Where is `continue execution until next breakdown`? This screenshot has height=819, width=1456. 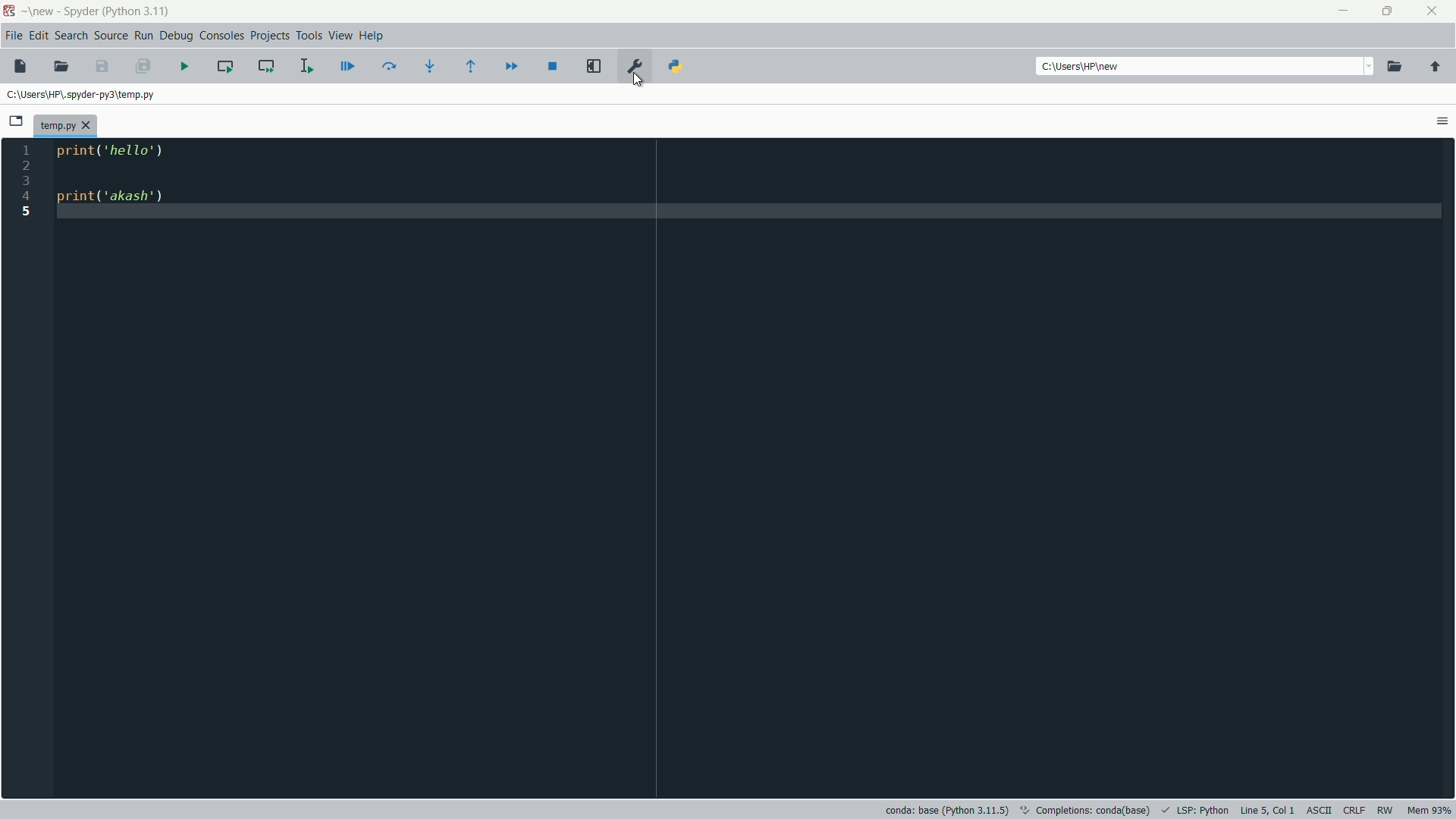
continue execution until next breakdown is located at coordinates (511, 66).